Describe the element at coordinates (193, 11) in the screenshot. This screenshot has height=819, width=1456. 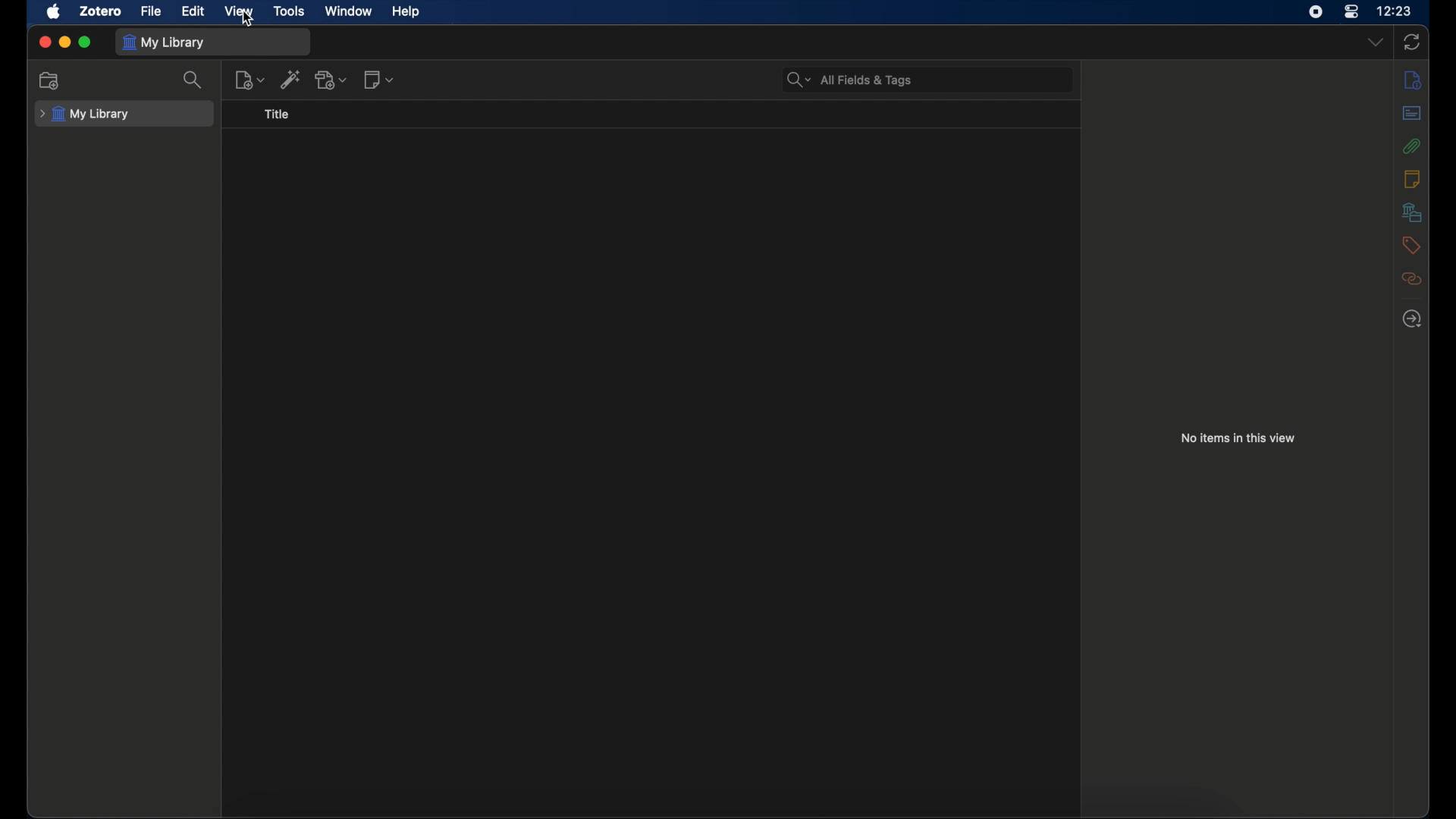
I see `edit` at that location.